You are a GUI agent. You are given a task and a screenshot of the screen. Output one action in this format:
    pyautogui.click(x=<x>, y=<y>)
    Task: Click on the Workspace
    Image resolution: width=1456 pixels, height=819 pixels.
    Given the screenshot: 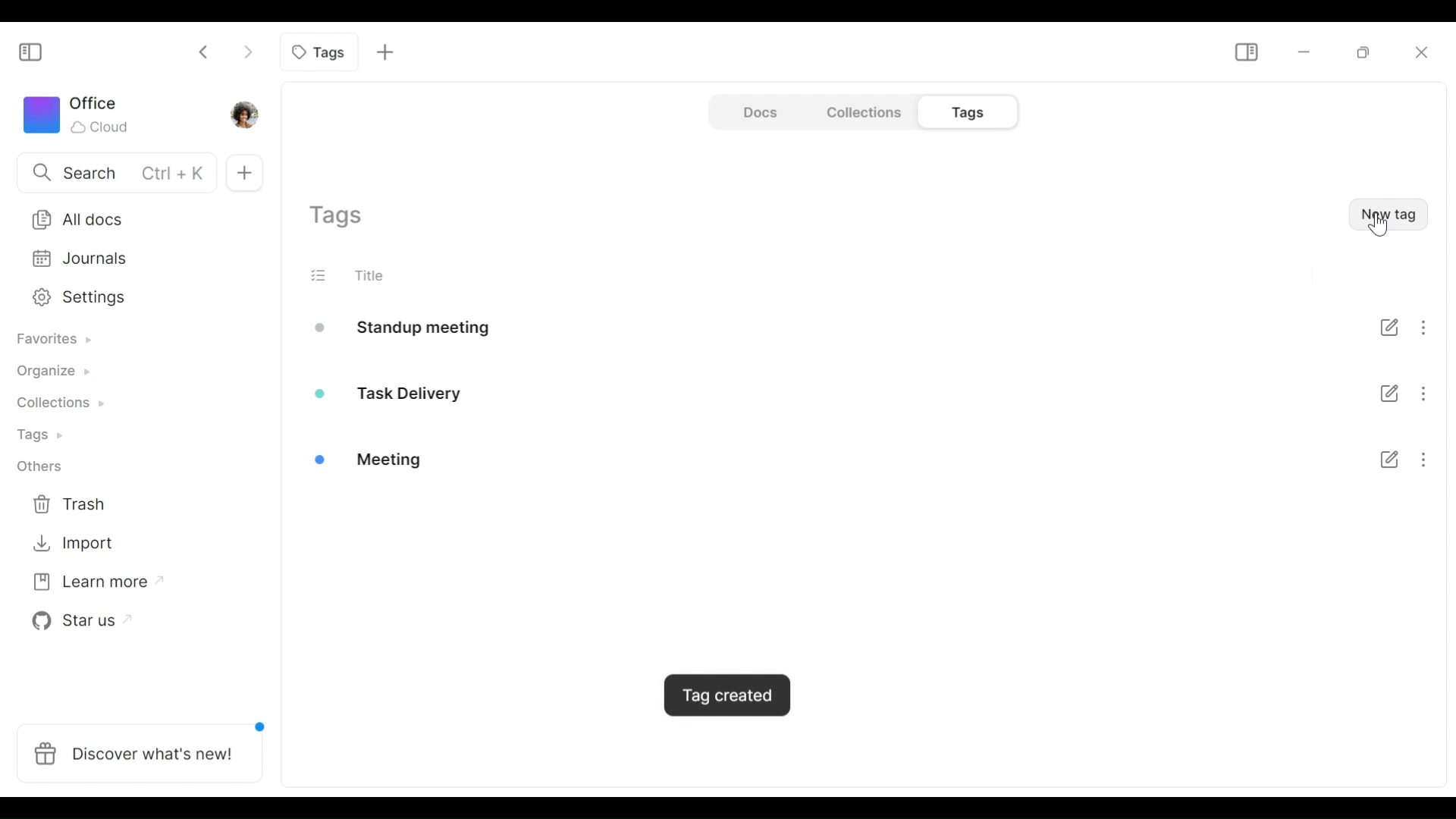 What is the action you would take?
    pyautogui.click(x=87, y=113)
    